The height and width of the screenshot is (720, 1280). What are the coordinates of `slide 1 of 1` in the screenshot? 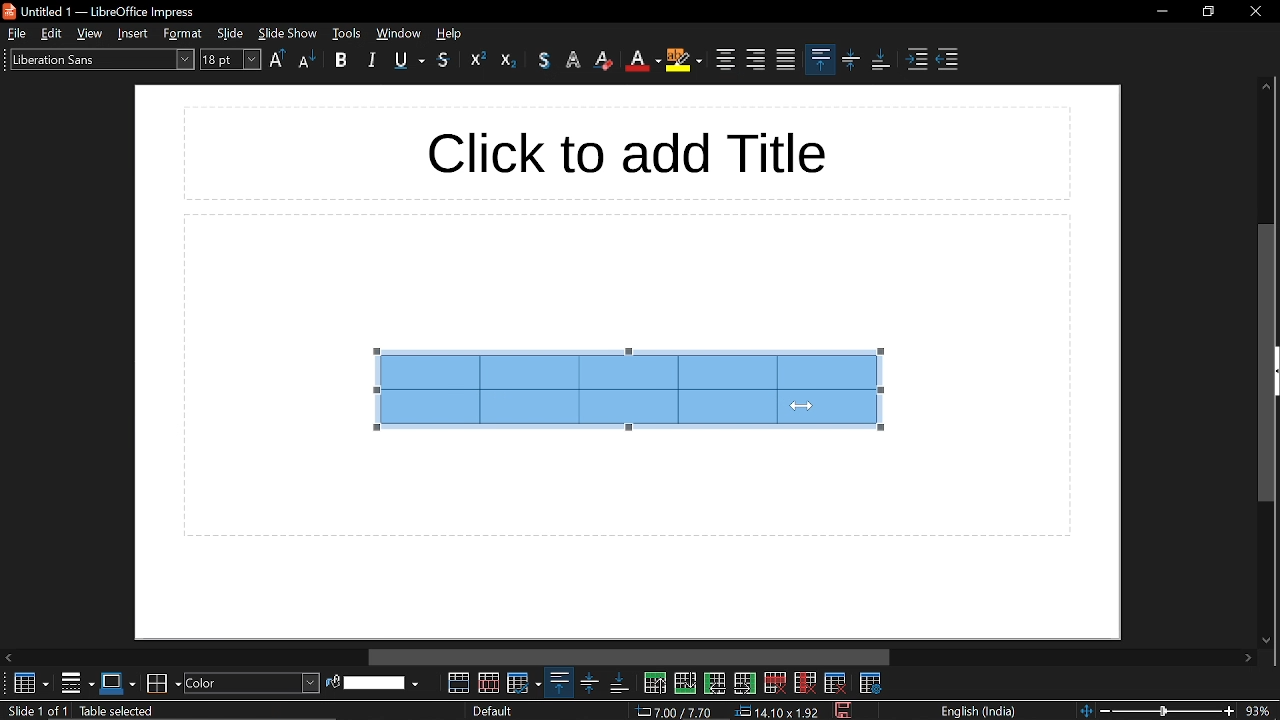 It's located at (34, 712).